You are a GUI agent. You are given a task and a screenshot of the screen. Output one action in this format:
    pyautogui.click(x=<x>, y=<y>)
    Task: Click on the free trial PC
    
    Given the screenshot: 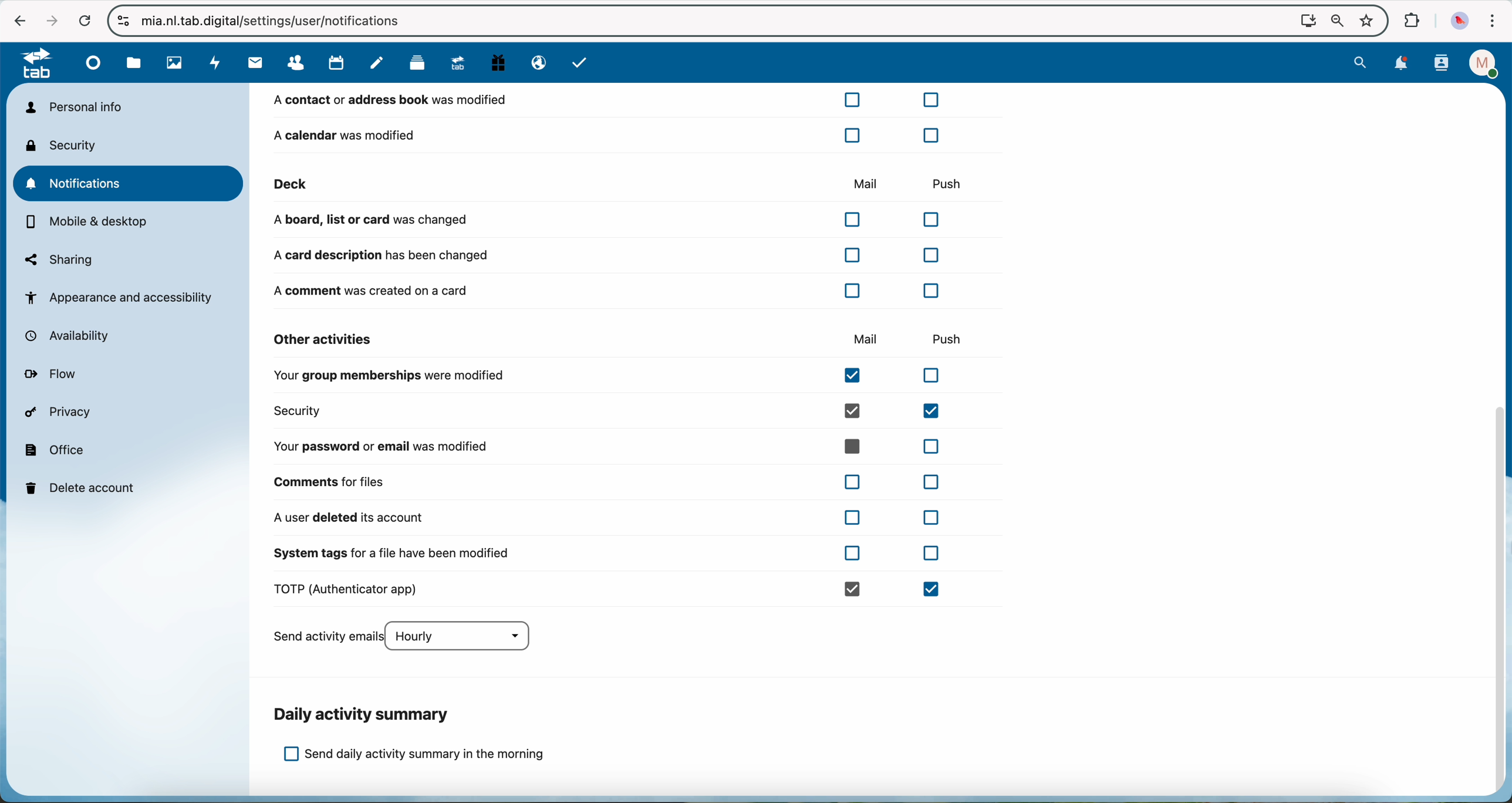 What is the action you would take?
    pyautogui.click(x=500, y=65)
    